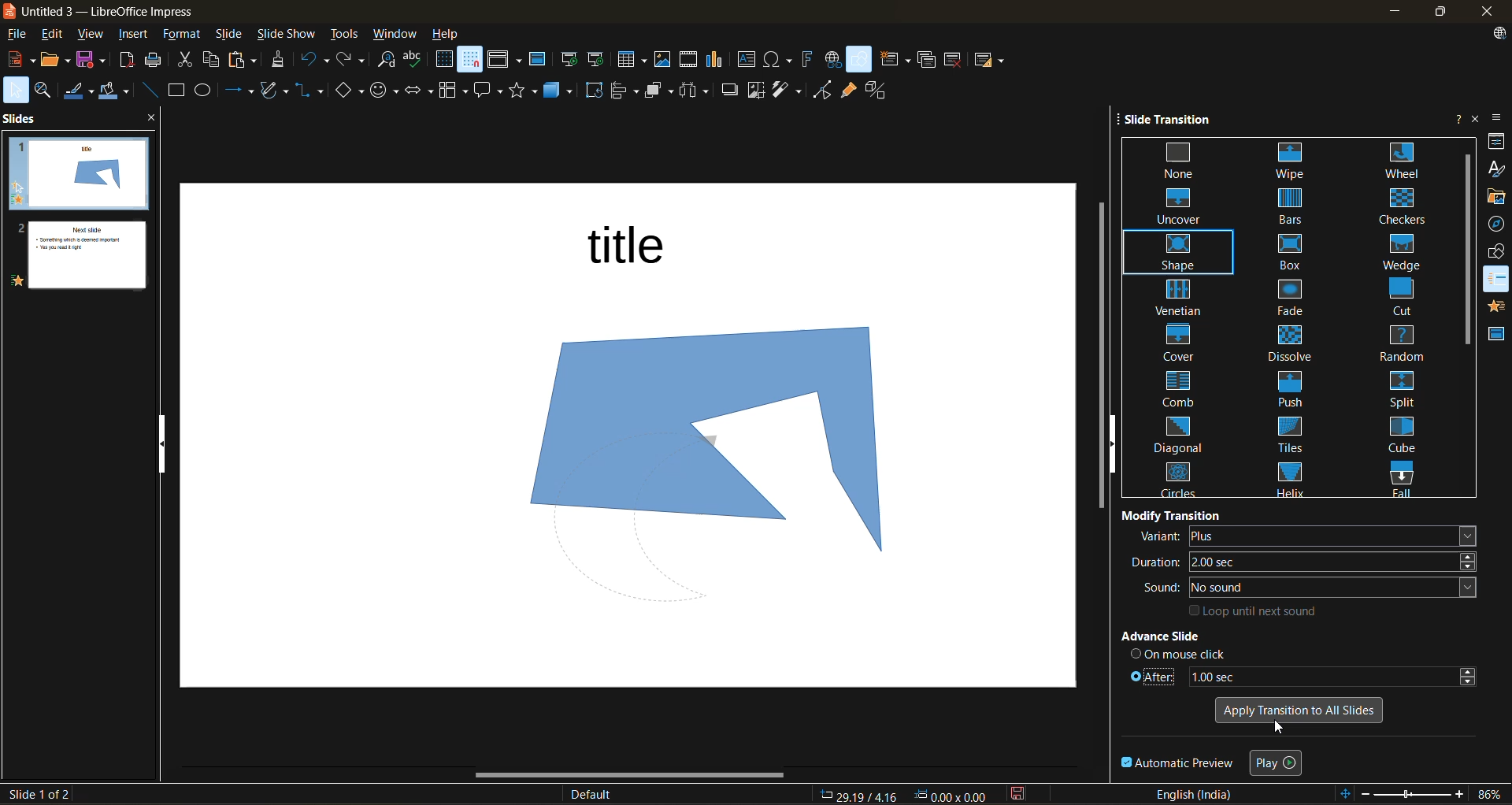  Describe the element at coordinates (619, 777) in the screenshot. I see `horizontal scroll bar` at that location.